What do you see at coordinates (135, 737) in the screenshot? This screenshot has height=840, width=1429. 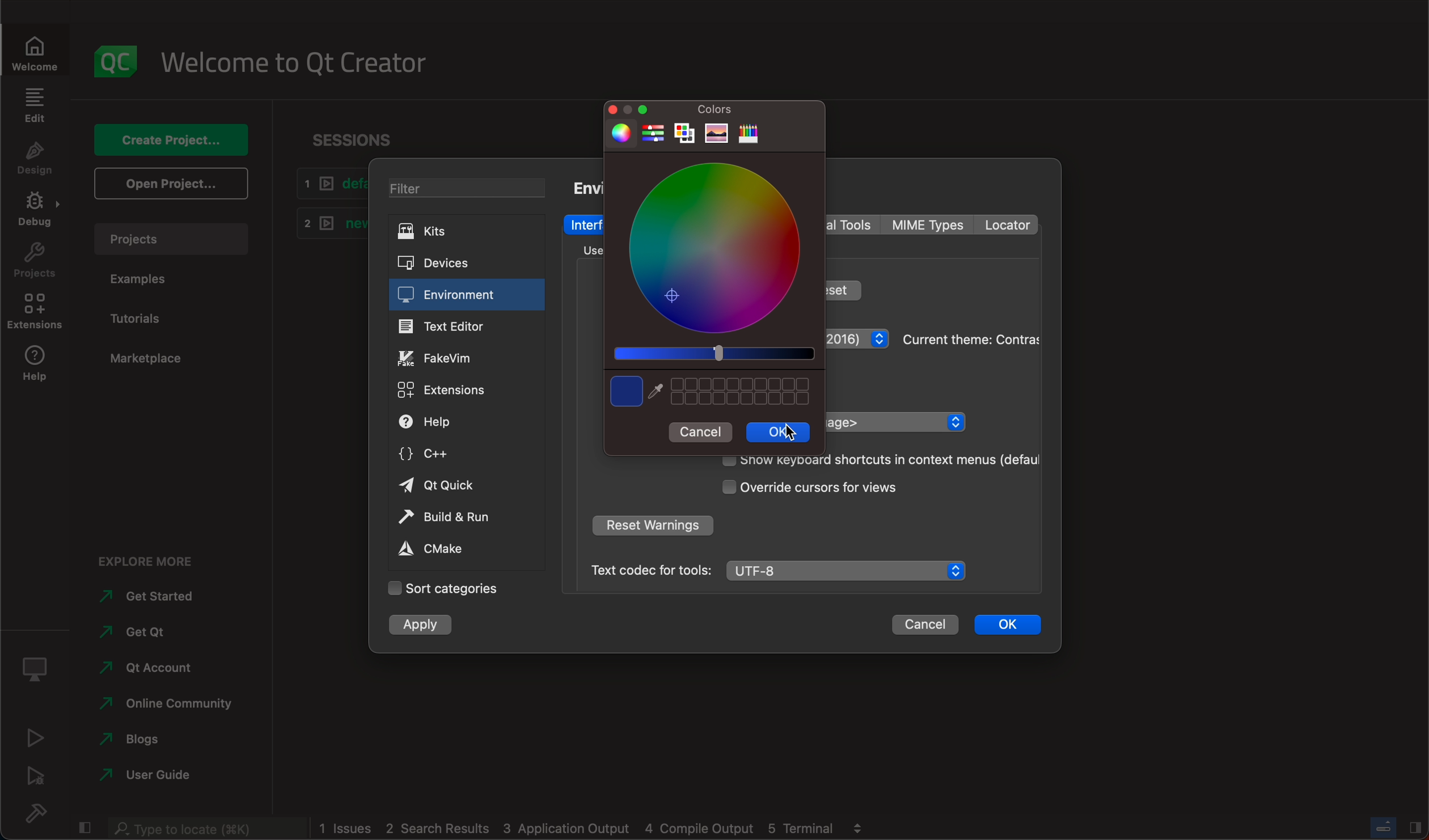 I see `blogs` at bounding box center [135, 737].